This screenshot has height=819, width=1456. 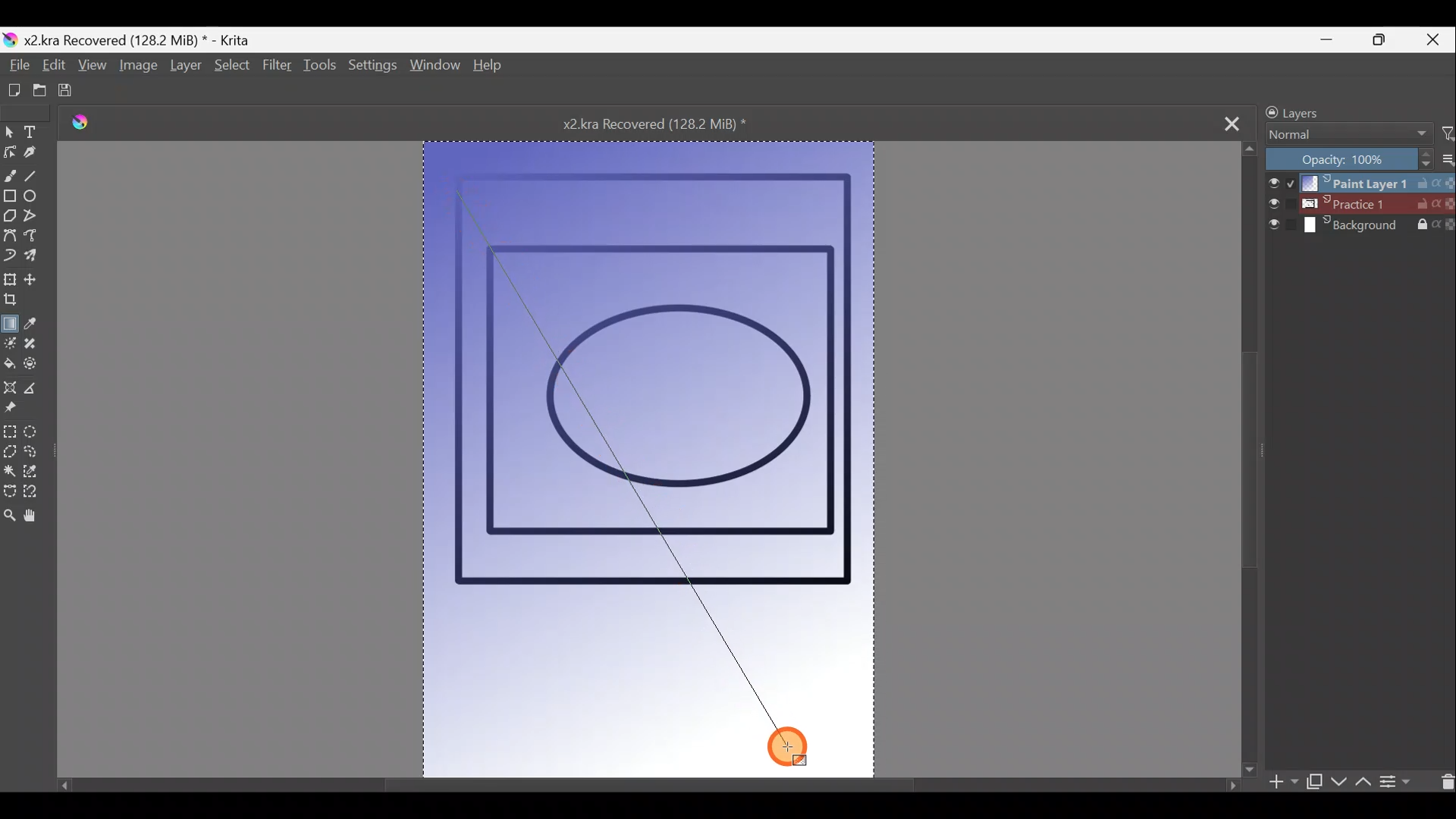 What do you see at coordinates (9, 198) in the screenshot?
I see `Rectangle tool` at bounding box center [9, 198].